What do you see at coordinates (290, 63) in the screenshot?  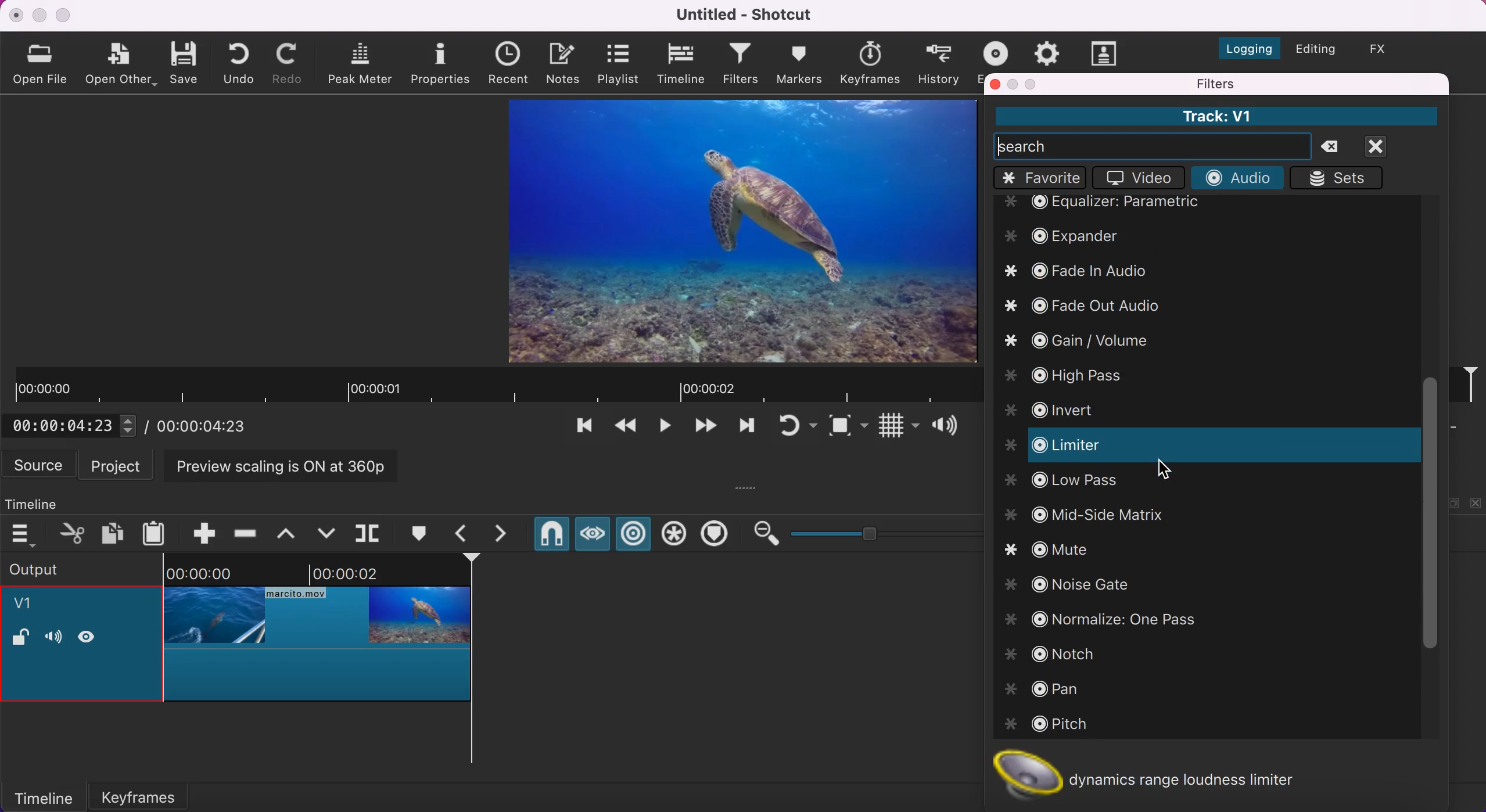 I see `redo` at bounding box center [290, 63].